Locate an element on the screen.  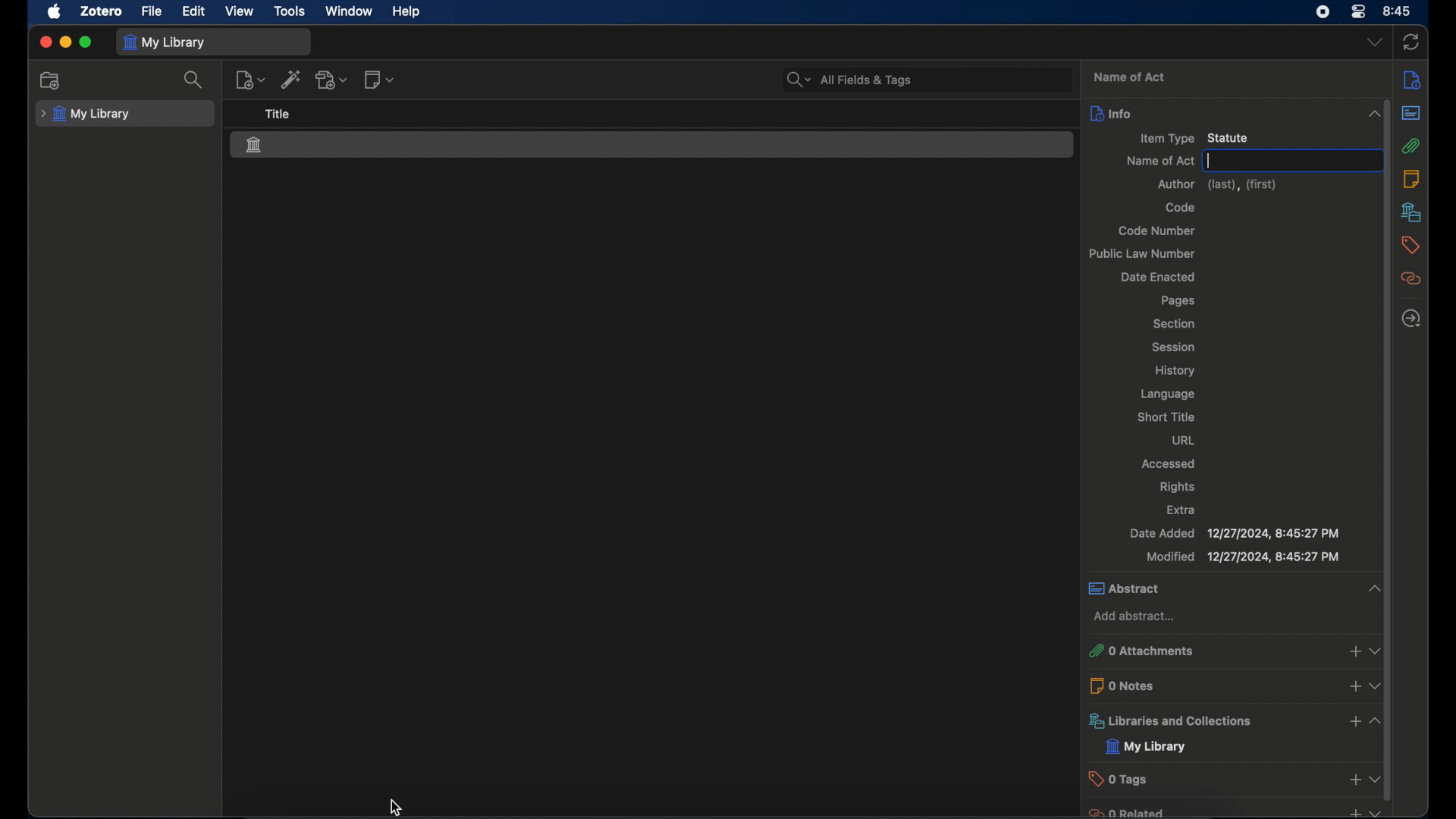
help is located at coordinates (408, 12).